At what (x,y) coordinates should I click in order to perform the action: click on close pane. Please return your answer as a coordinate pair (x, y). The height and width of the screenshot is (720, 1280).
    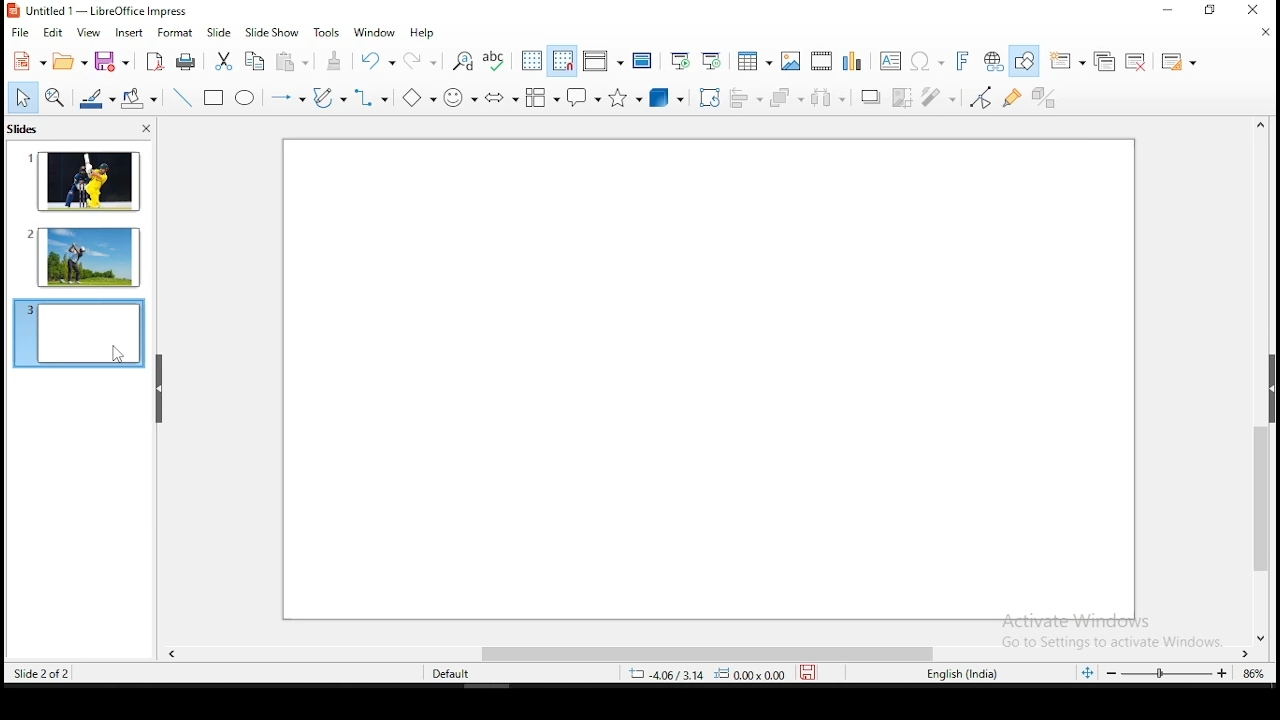
    Looking at the image, I should click on (146, 128).